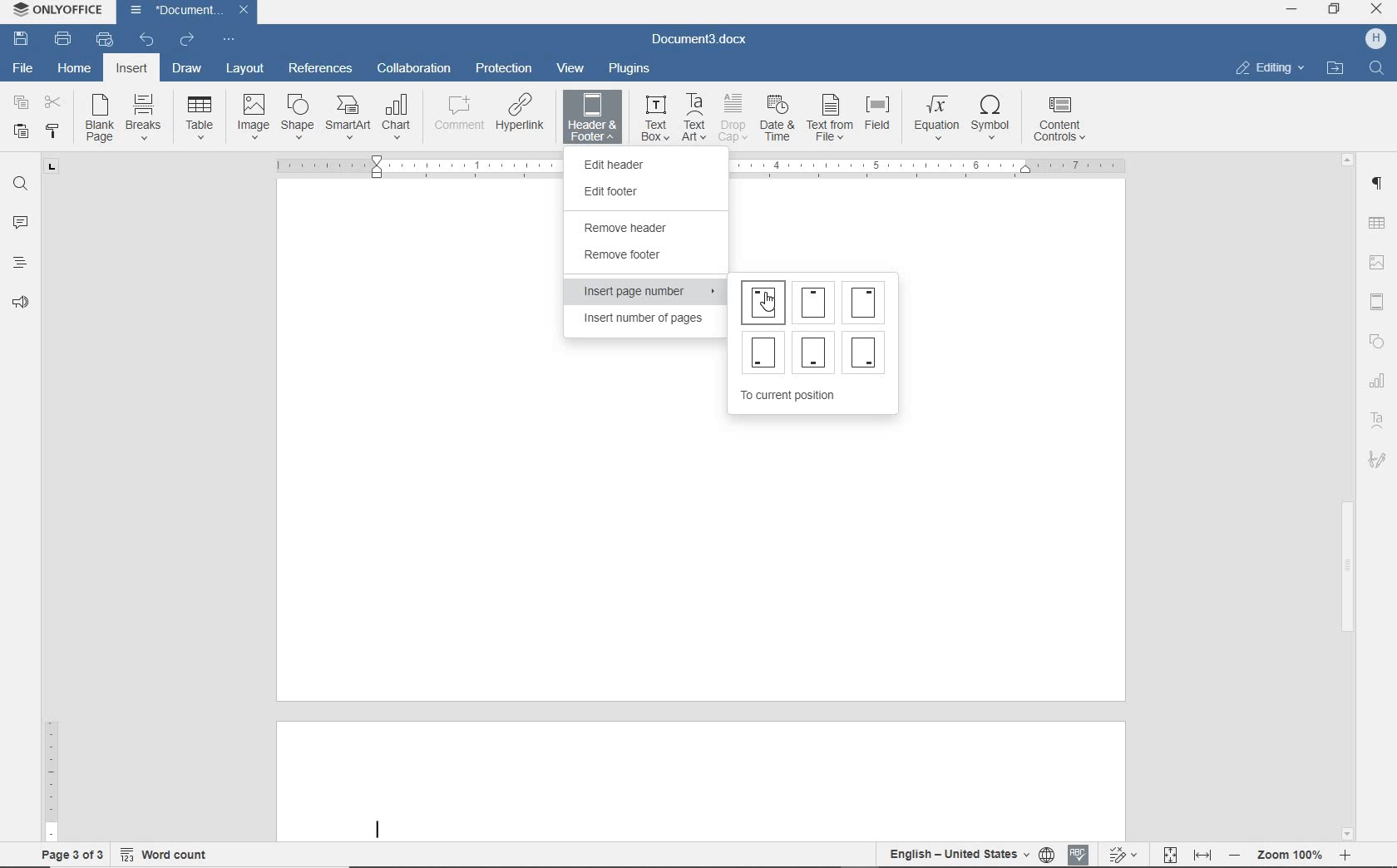 This screenshot has width=1397, height=868. Describe the element at coordinates (297, 119) in the screenshot. I see `SHAPE` at that location.